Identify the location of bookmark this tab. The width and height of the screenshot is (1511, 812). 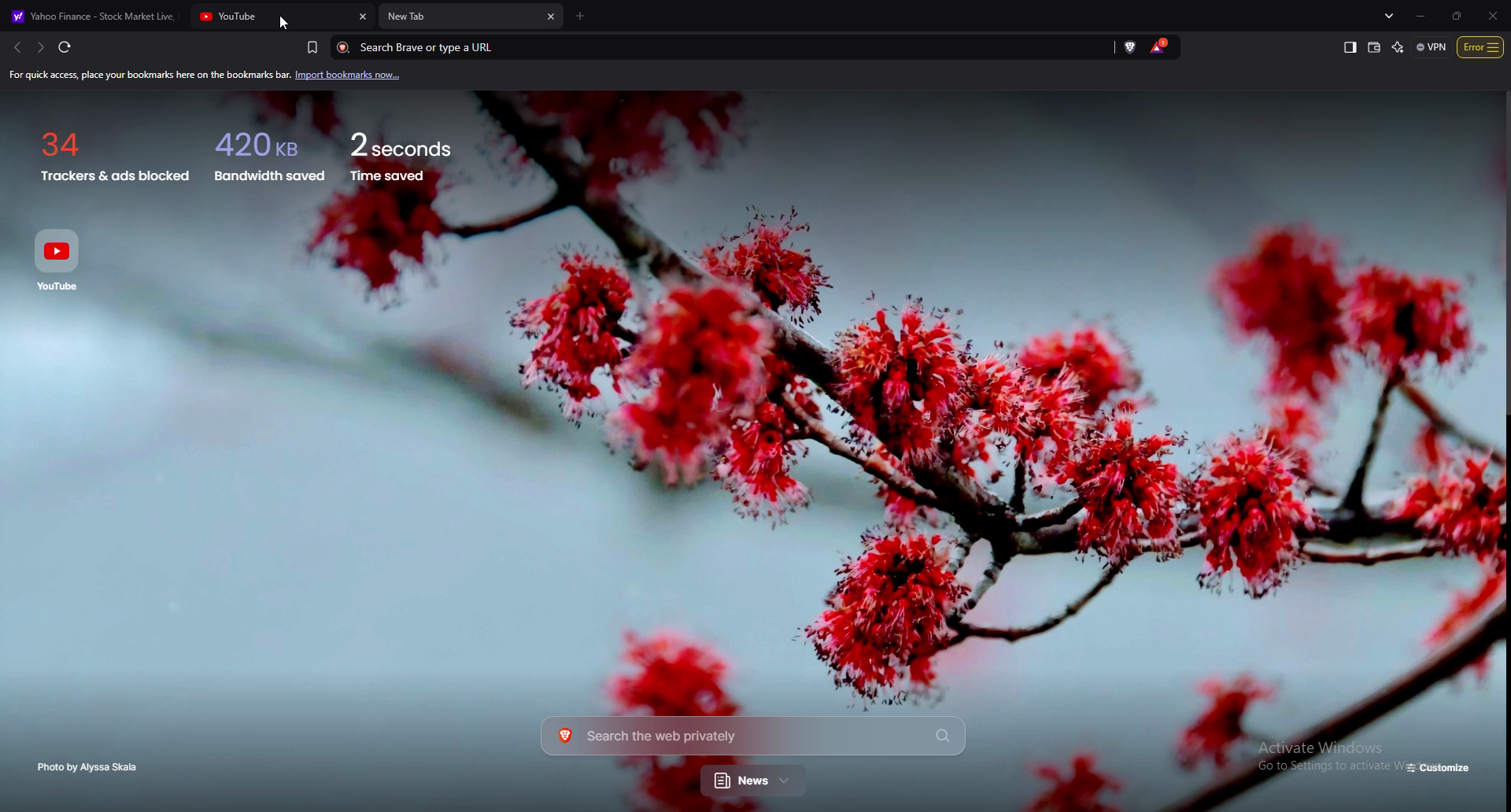
(312, 46).